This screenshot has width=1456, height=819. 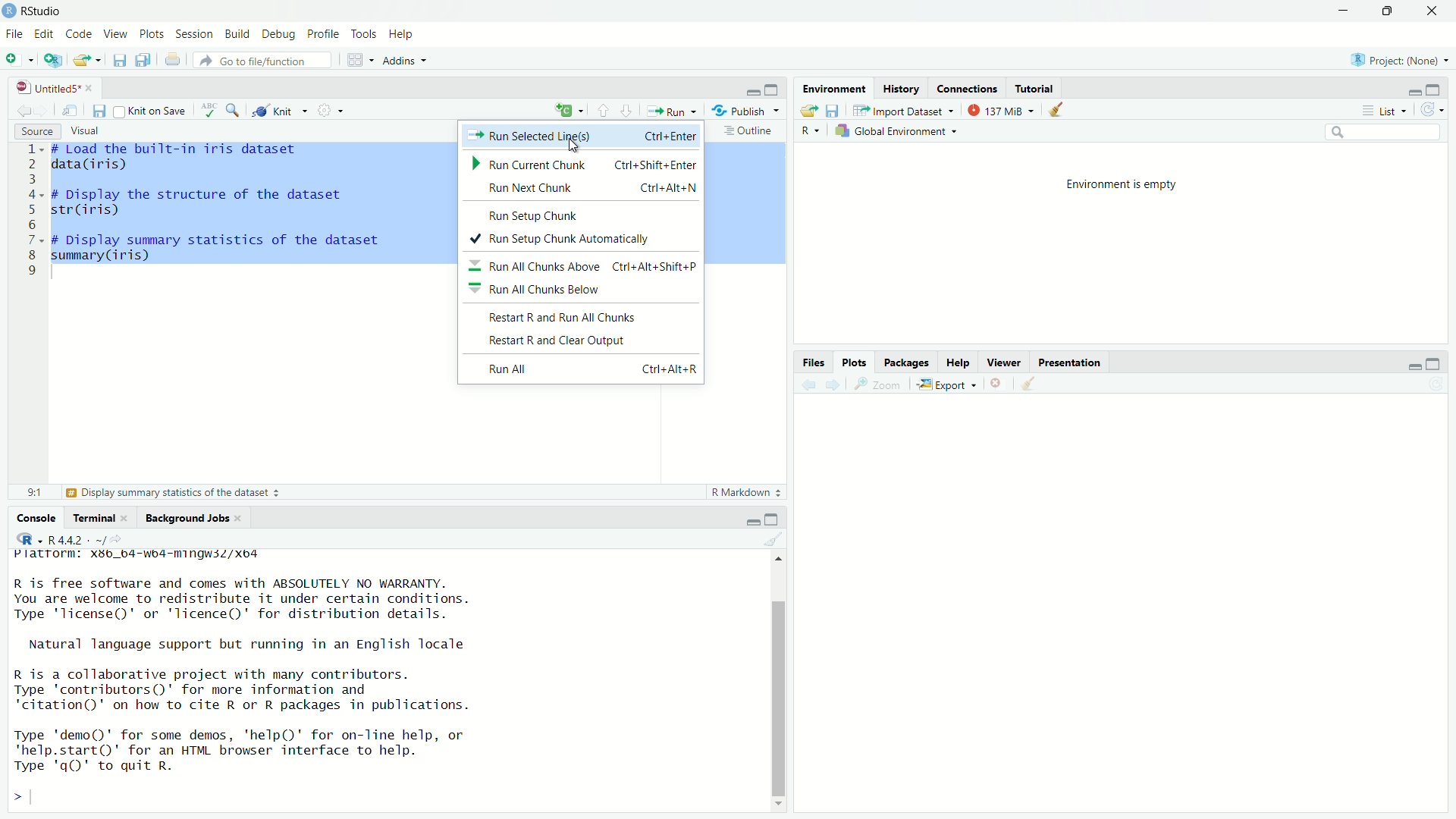 What do you see at coordinates (194, 519) in the screenshot?
I see `Background Jobs` at bounding box center [194, 519].